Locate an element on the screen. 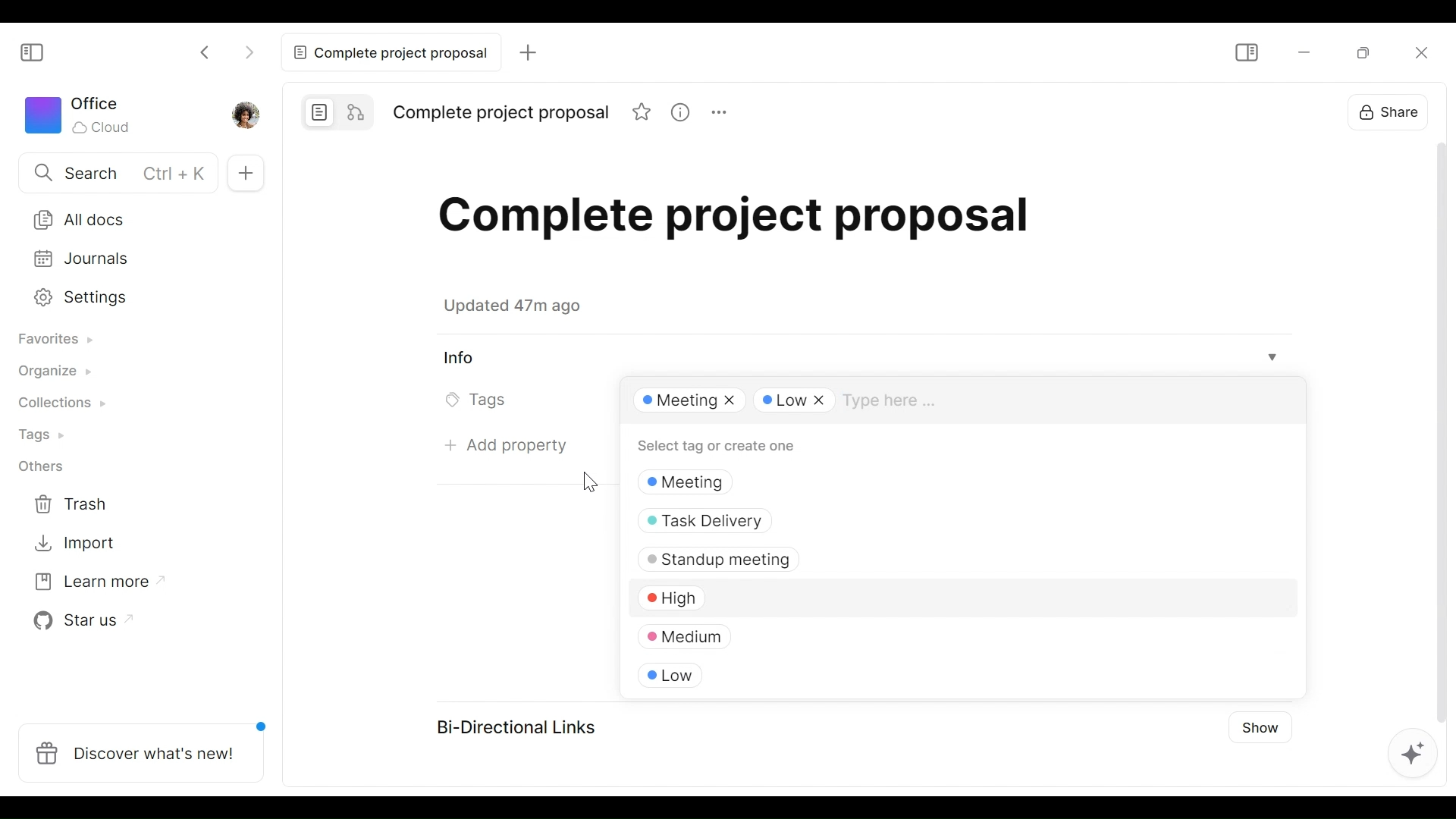 The height and width of the screenshot is (819, 1456). More options is located at coordinates (717, 111).